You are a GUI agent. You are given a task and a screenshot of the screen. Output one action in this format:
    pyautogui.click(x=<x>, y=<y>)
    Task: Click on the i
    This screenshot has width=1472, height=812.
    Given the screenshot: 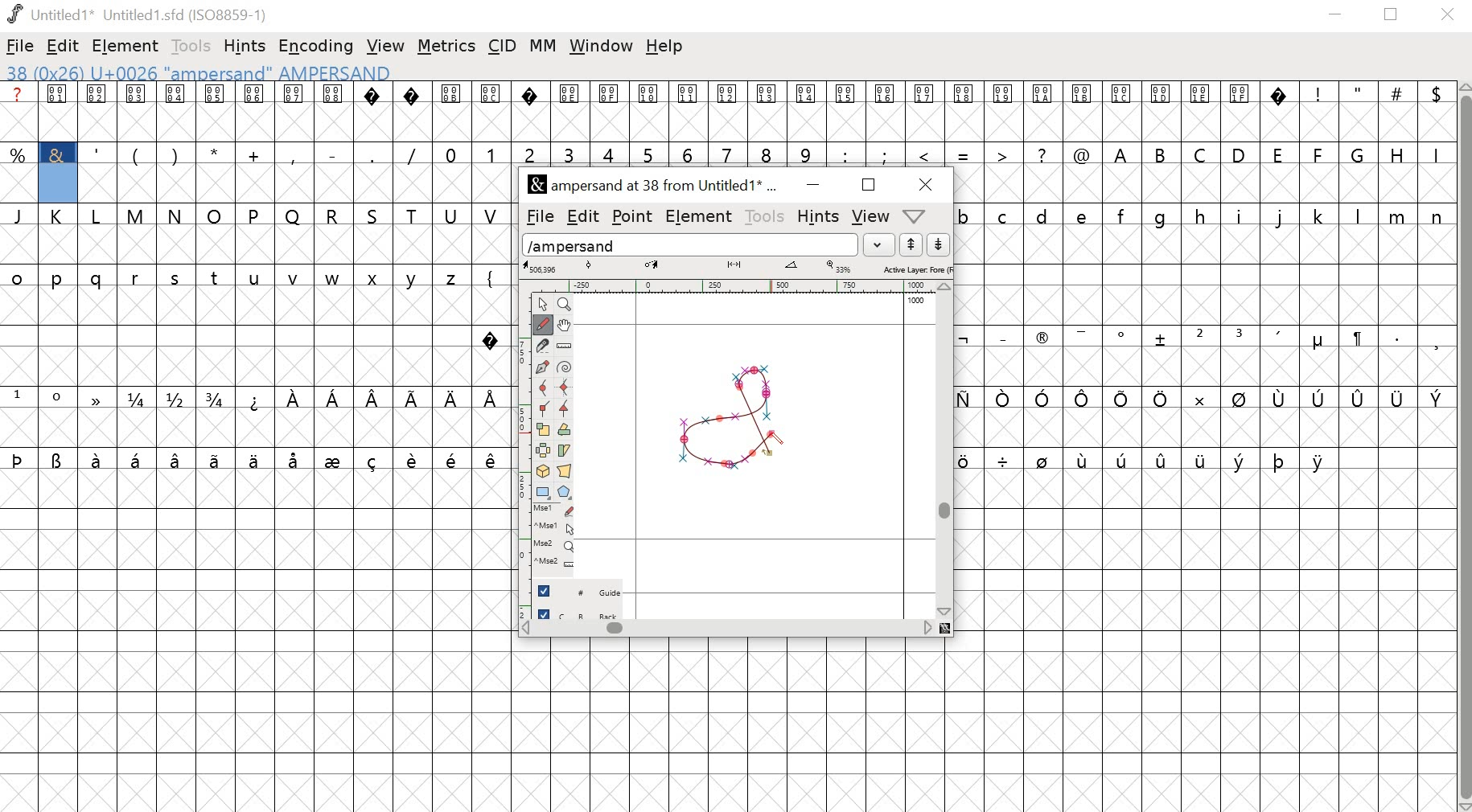 What is the action you would take?
    pyautogui.click(x=1240, y=215)
    